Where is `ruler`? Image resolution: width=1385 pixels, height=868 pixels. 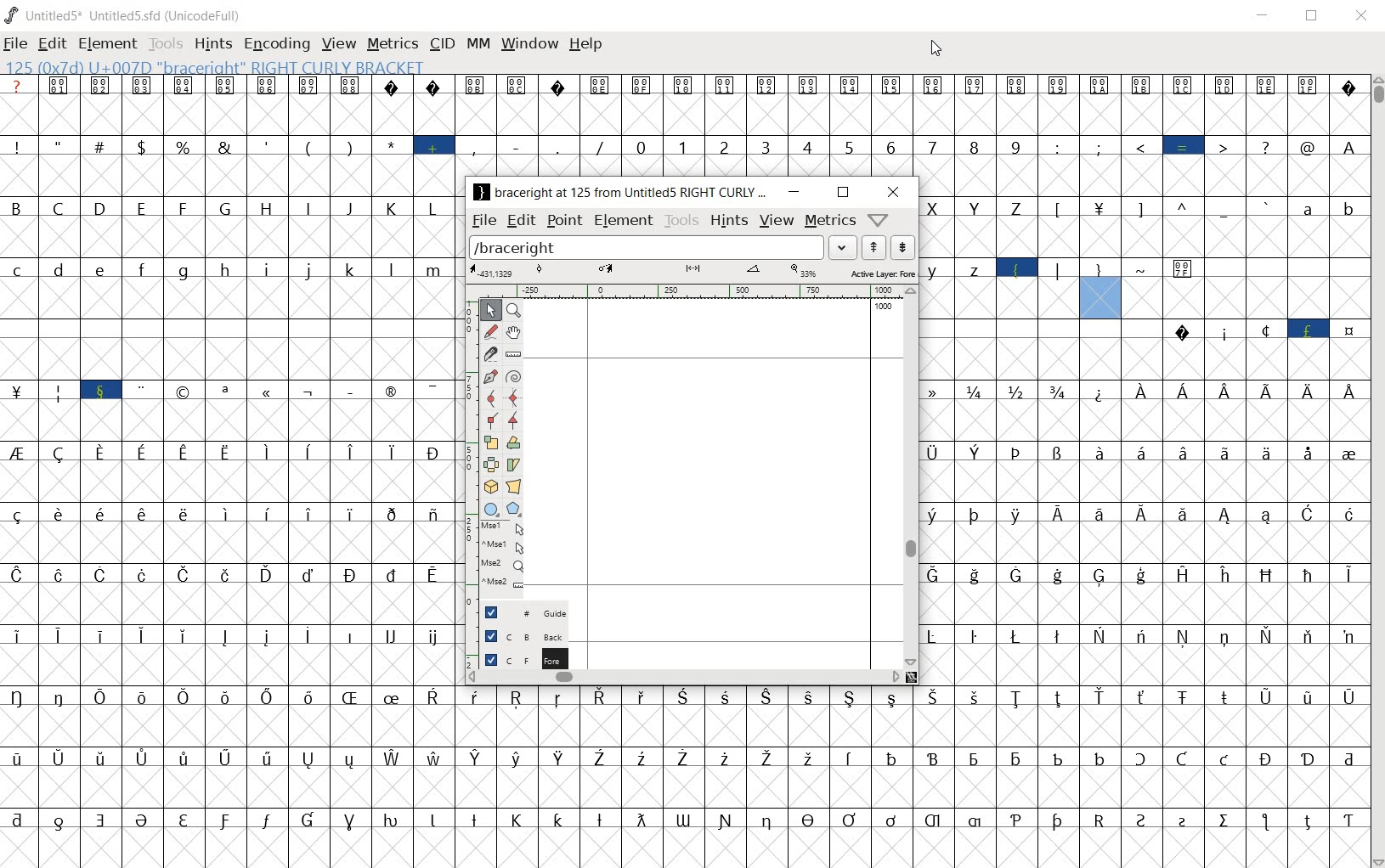 ruler is located at coordinates (689, 290).